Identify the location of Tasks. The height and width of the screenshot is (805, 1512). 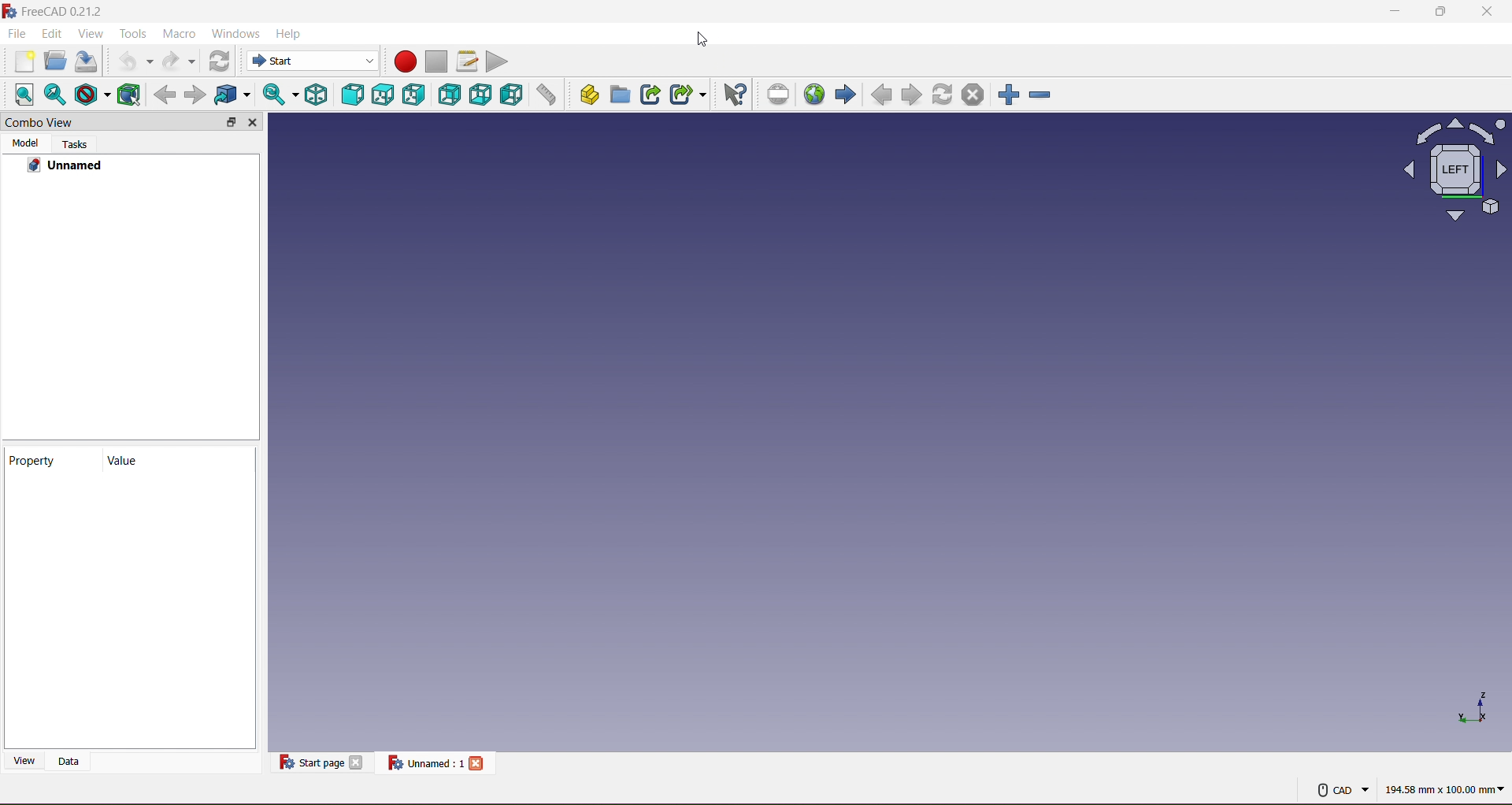
(75, 145).